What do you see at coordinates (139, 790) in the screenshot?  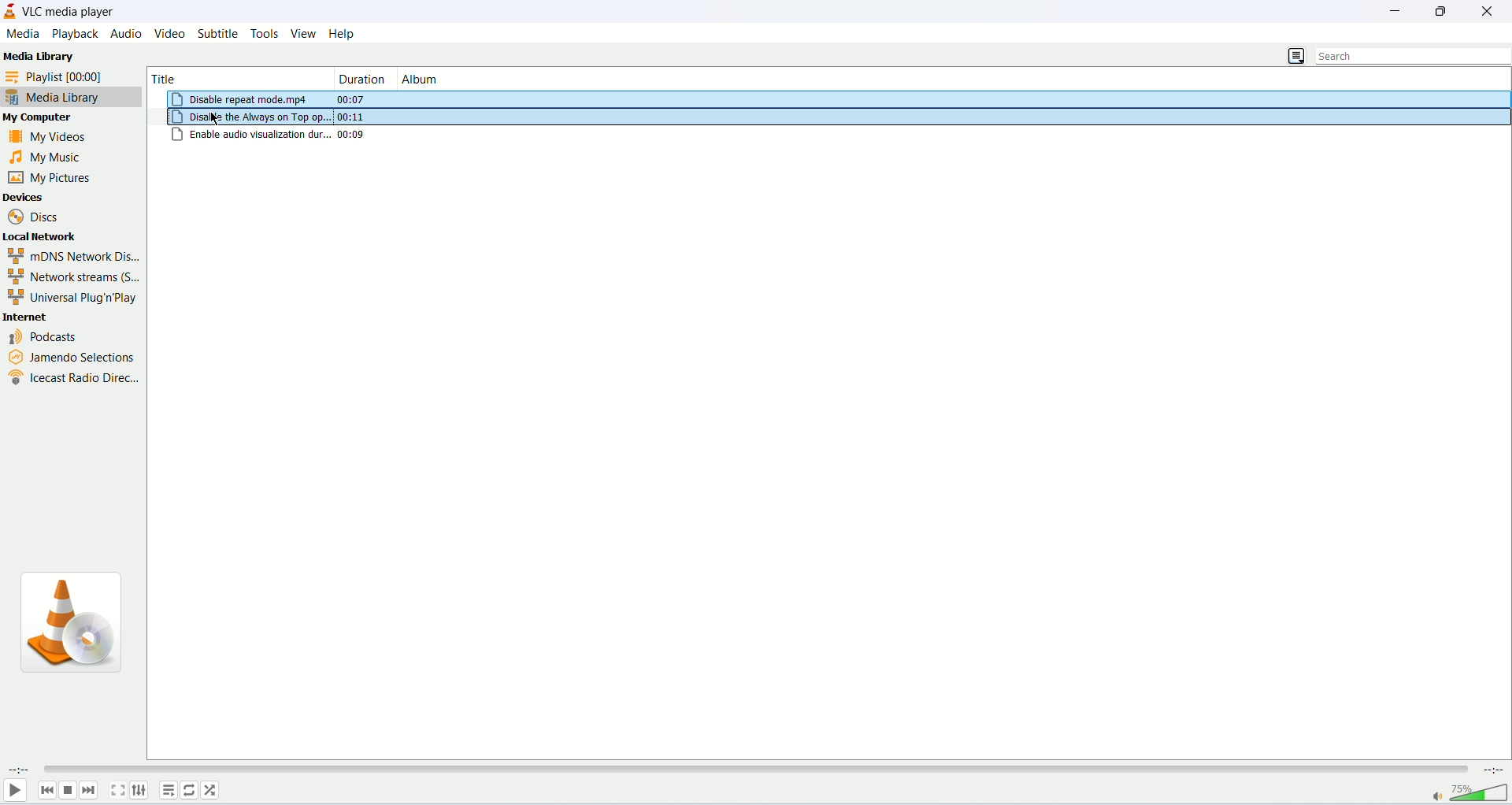 I see `extended settings` at bounding box center [139, 790].